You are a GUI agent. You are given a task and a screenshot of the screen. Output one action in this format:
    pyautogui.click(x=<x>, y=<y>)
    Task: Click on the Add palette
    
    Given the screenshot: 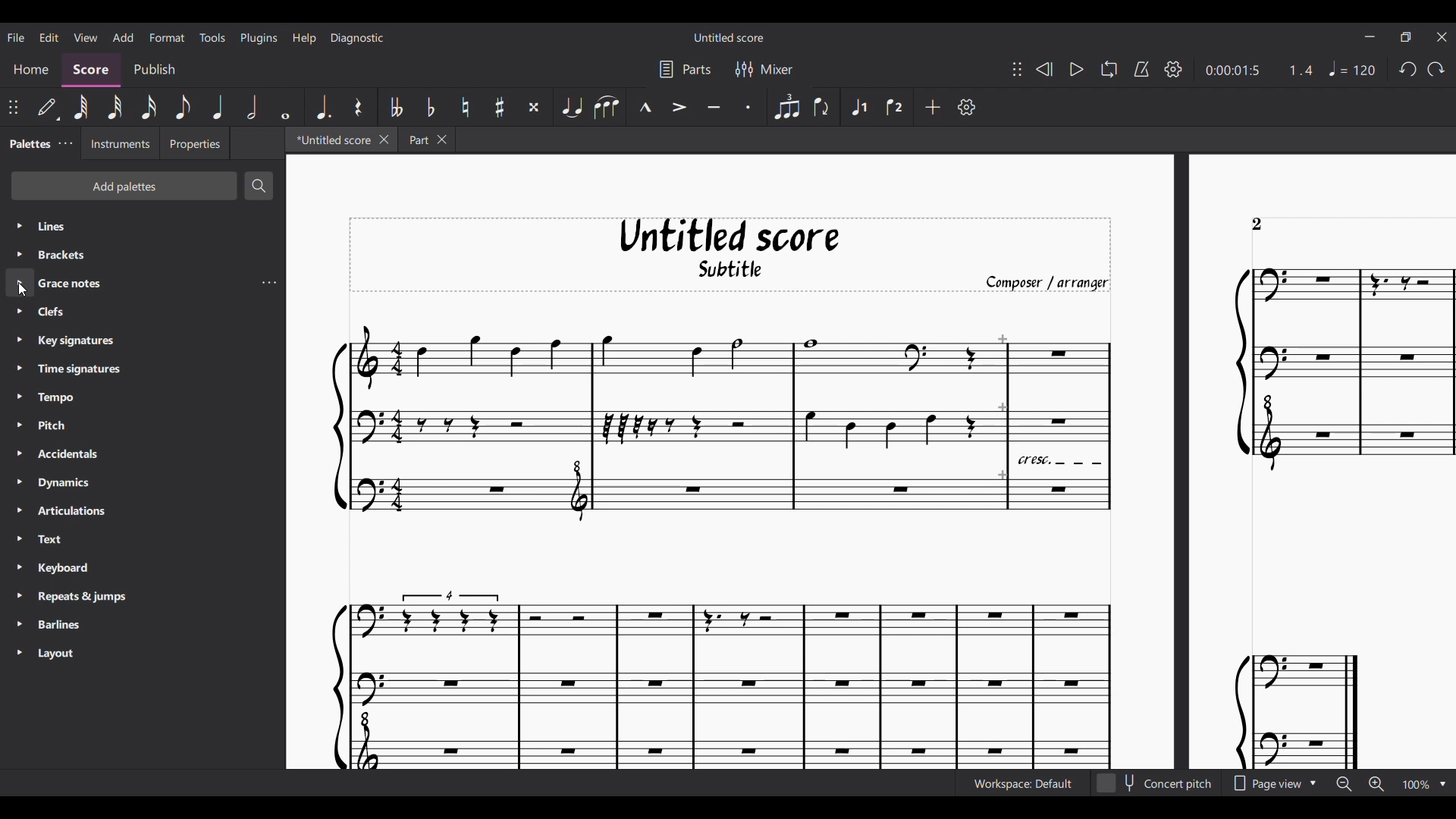 What is the action you would take?
    pyautogui.click(x=124, y=186)
    